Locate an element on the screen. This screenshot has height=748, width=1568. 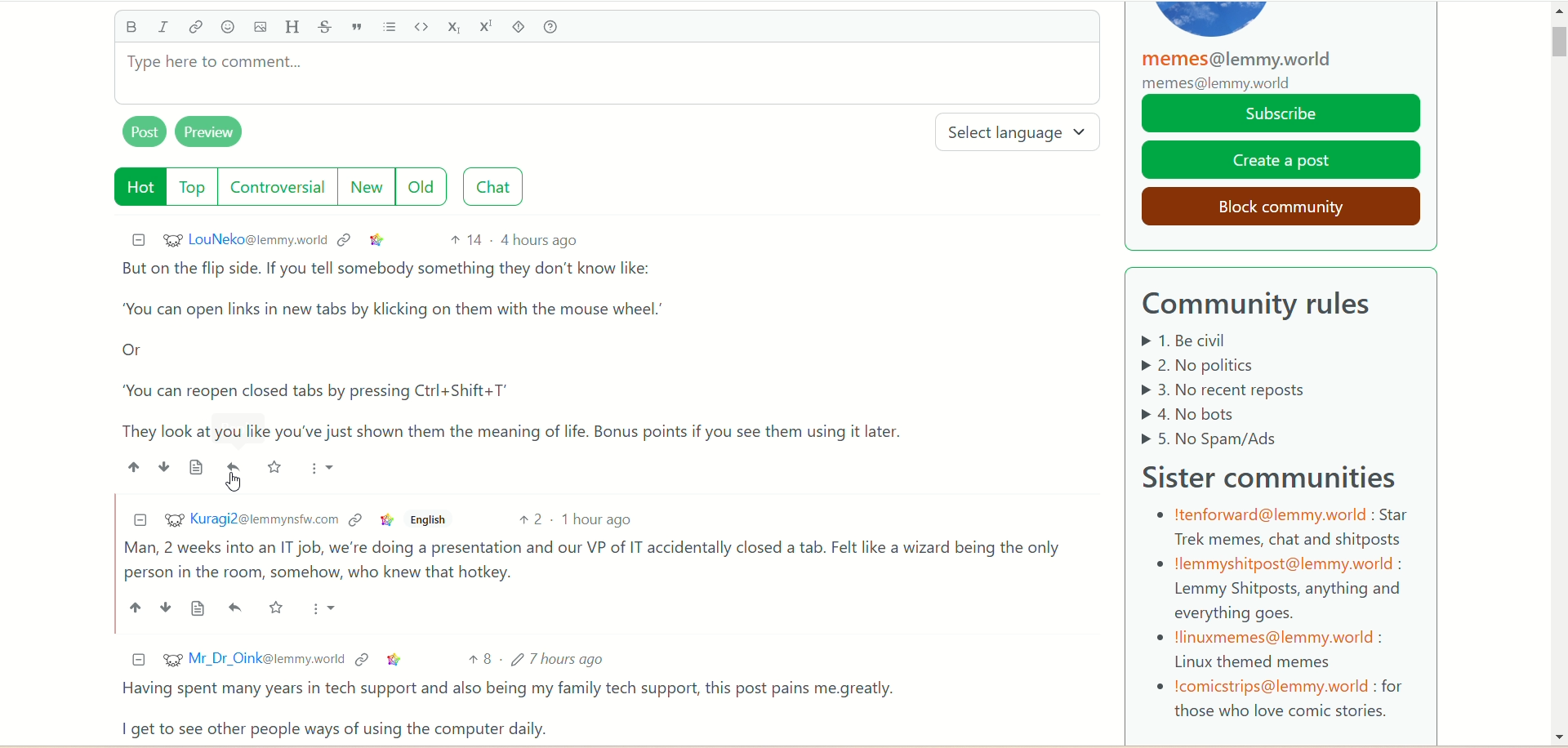
link is located at coordinates (385, 520).